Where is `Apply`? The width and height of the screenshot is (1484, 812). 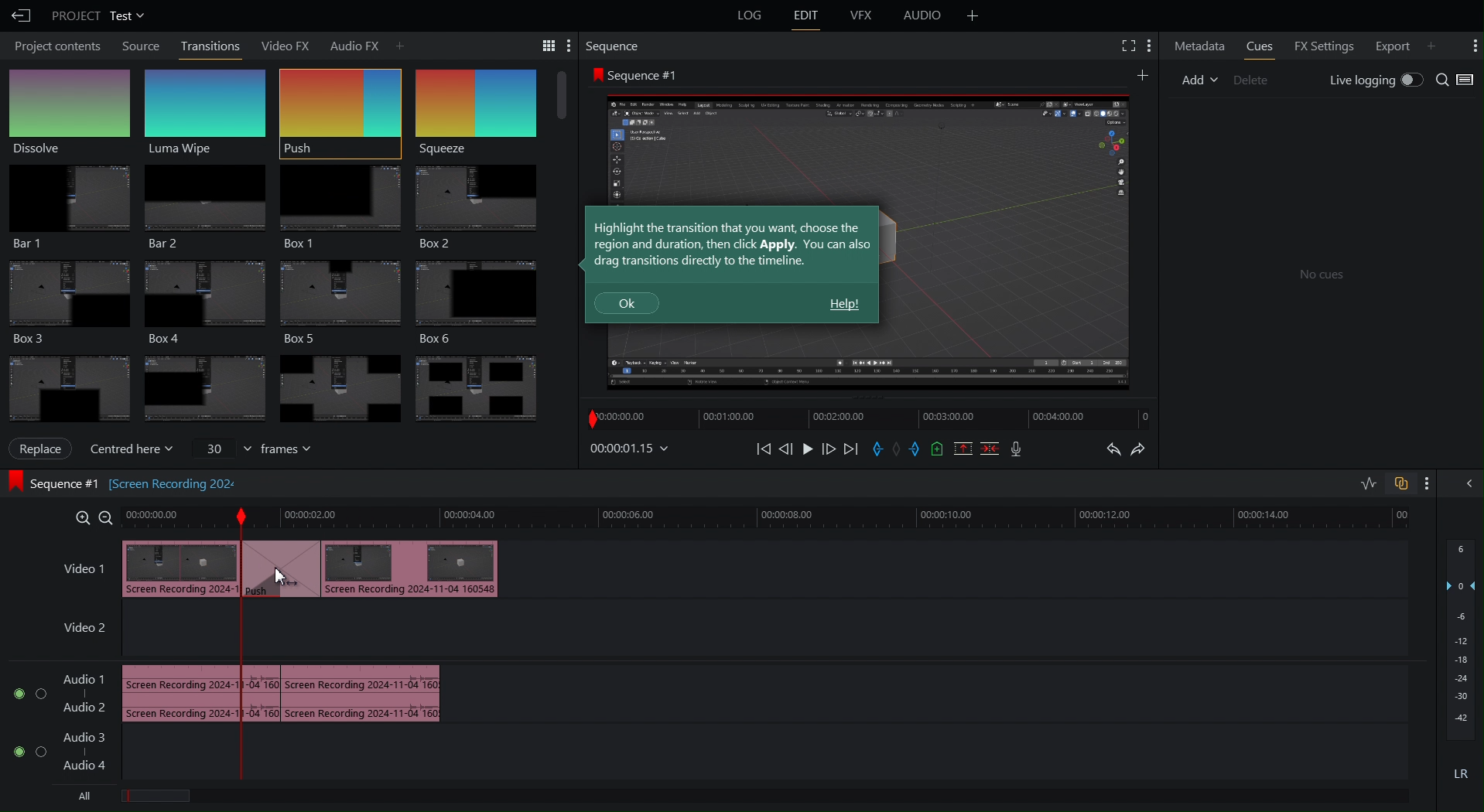
Apply is located at coordinates (42, 448).